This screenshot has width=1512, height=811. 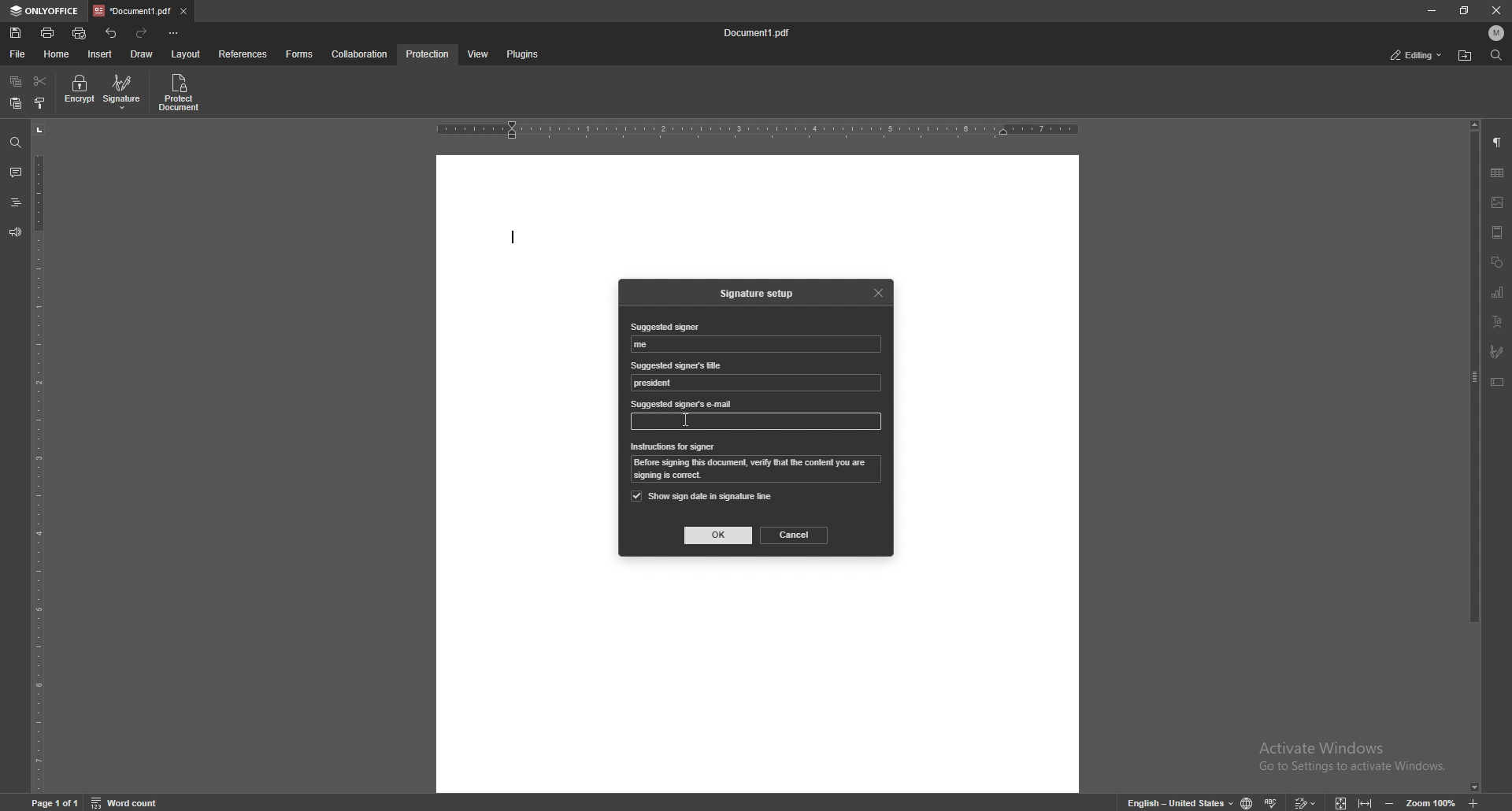 What do you see at coordinates (185, 55) in the screenshot?
I see `layout` at bounding box center [185, 55].